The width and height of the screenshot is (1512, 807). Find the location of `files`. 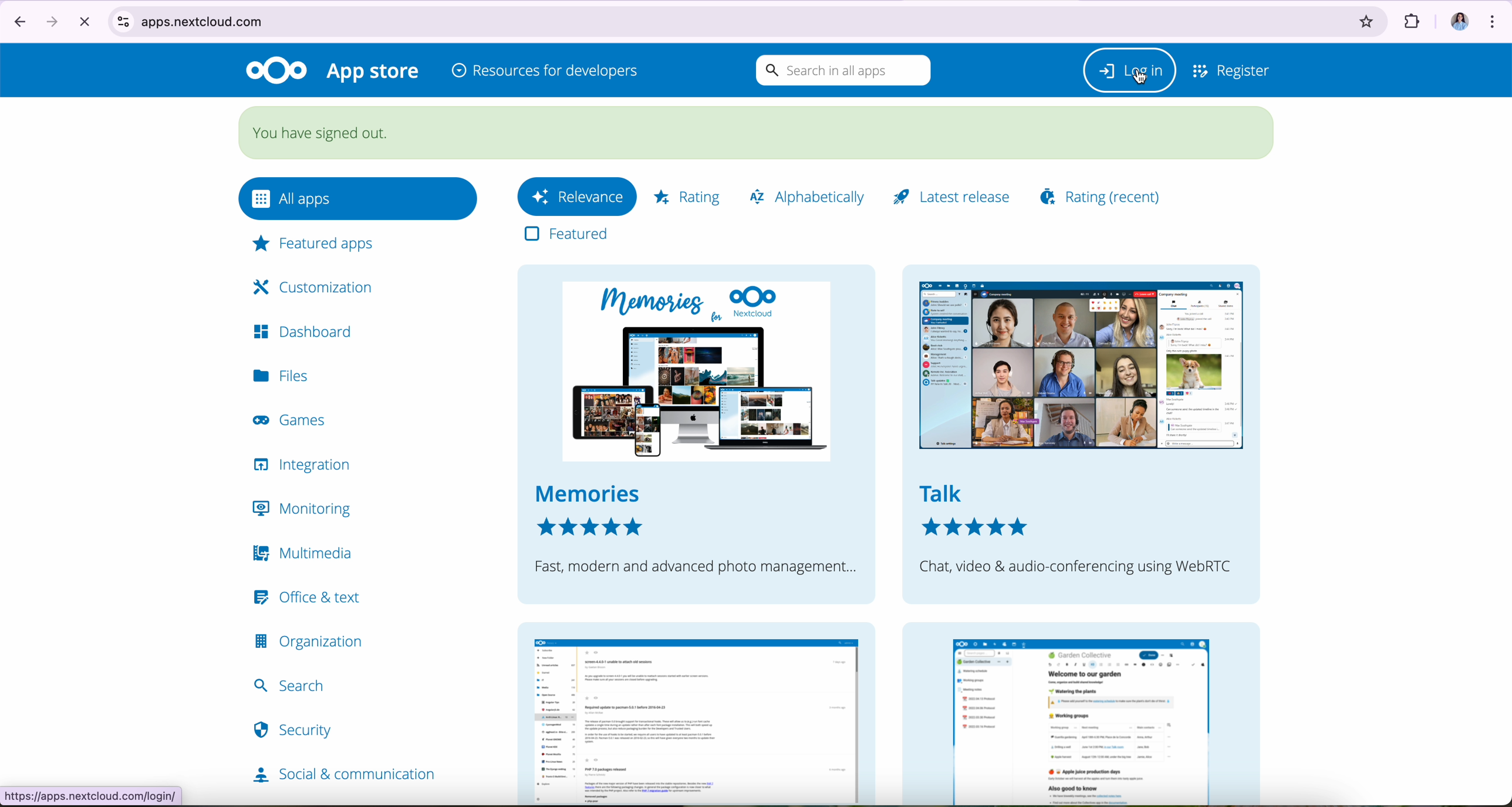

files is located at coordinates (283, 376).